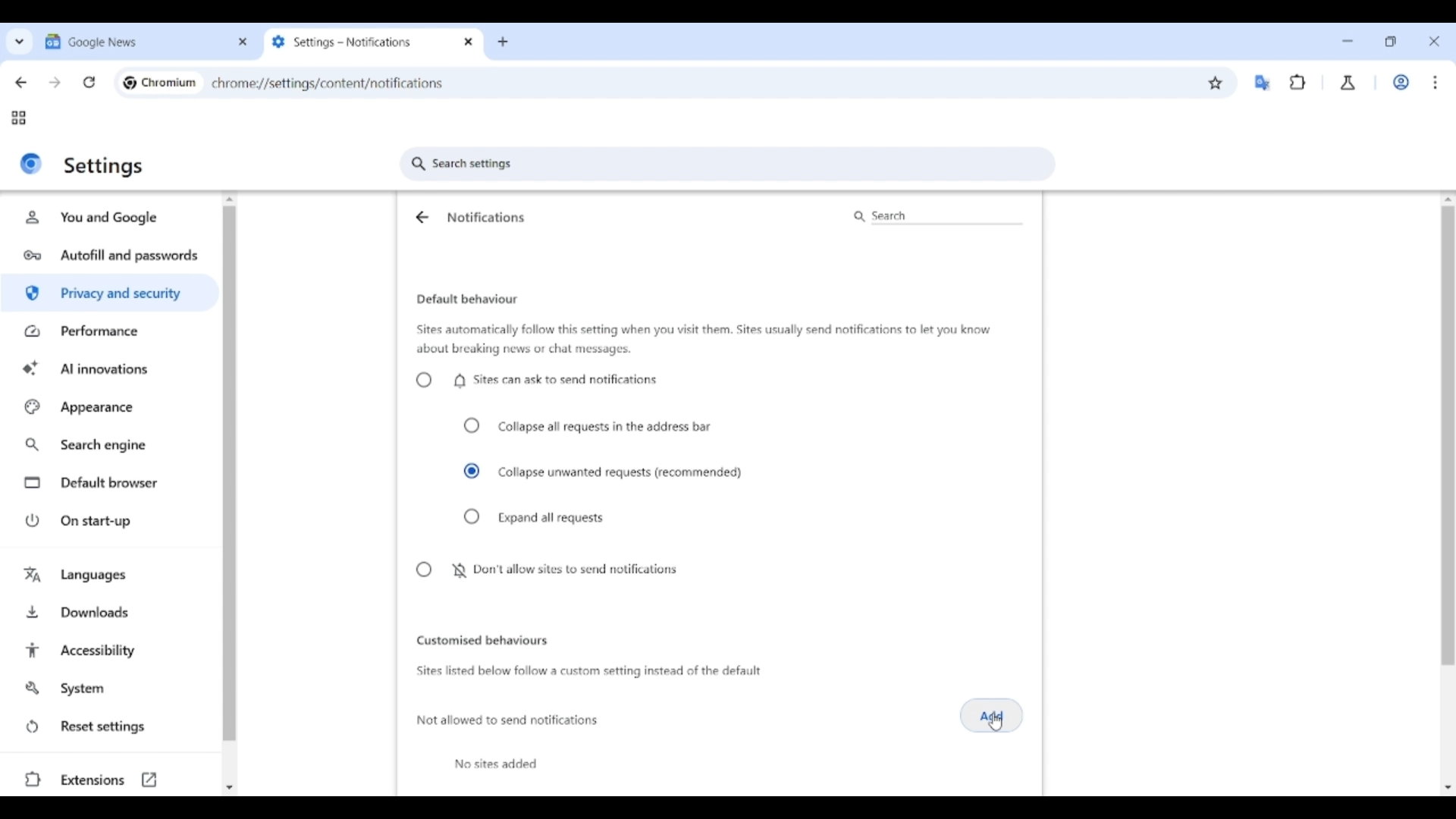 The width and height of the screenshot is (1456, 819). What do you see at coordinates (112, 256) in the screenshot?
I see `Autofill and passwords` at bounding box center [112, 256].